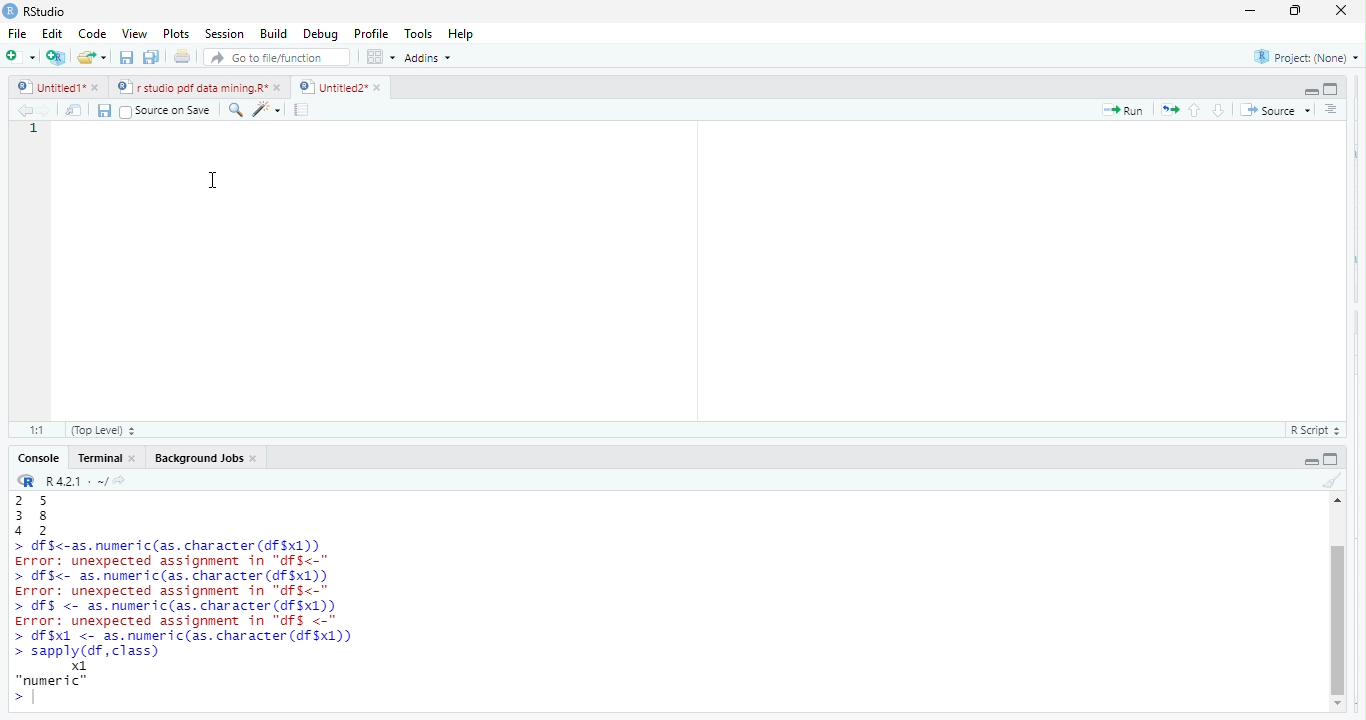 The height and width of the screenshot is (720, 1366). Describe the element at coordinates (224, 35) in the screenshot. I see `Session` at that location.